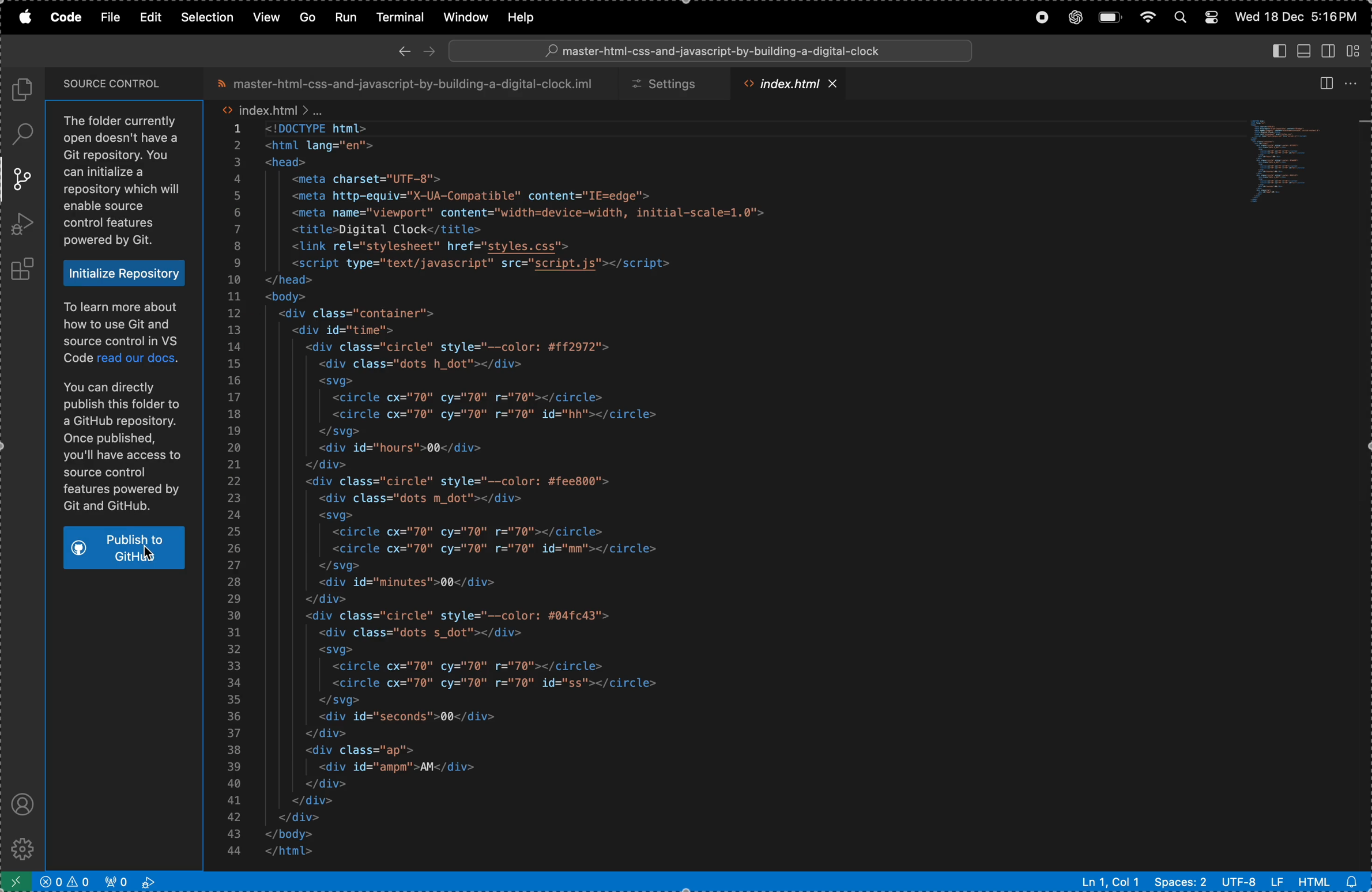  Describe the element at coordinates (307, 17) in the screenshot. I see `go` at that location.